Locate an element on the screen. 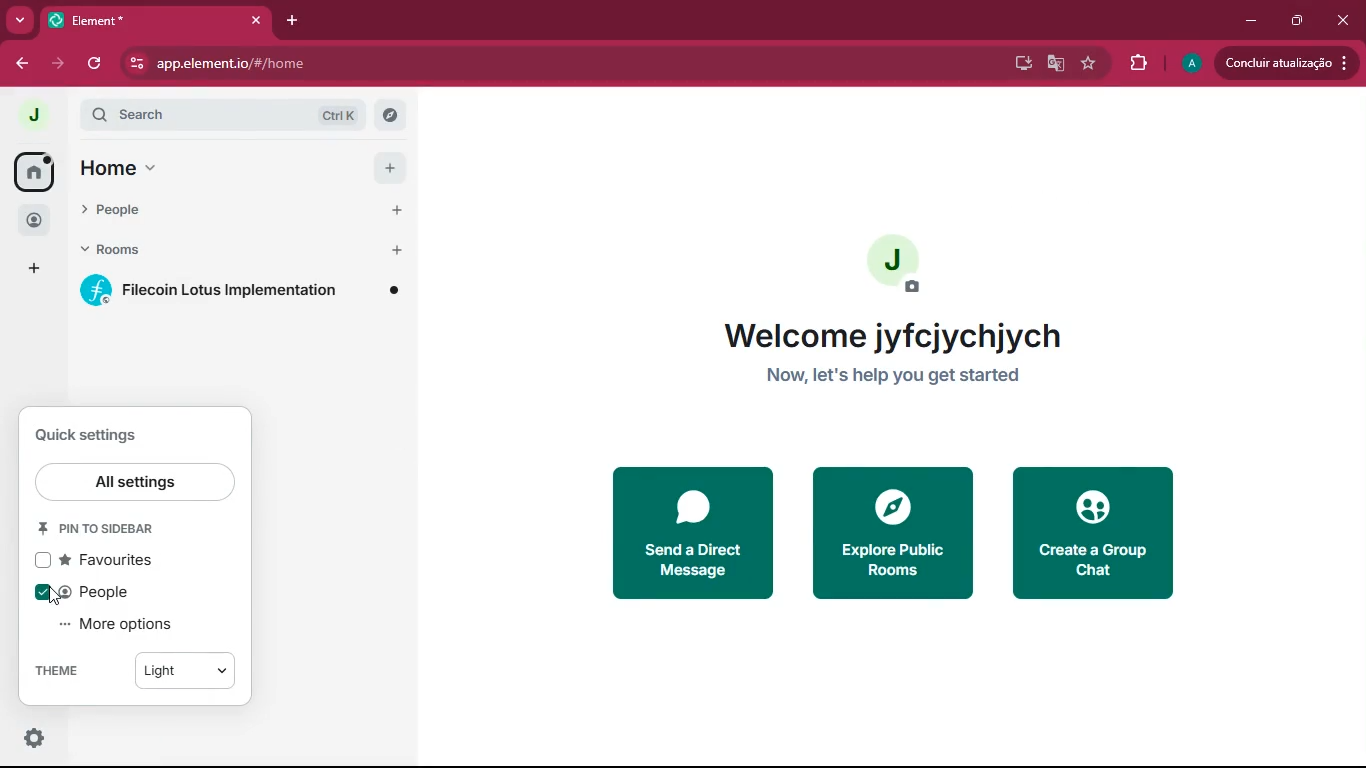 The width and height of the screenshot is (1366, 768). profile picture is located at coordinates (891, 264).